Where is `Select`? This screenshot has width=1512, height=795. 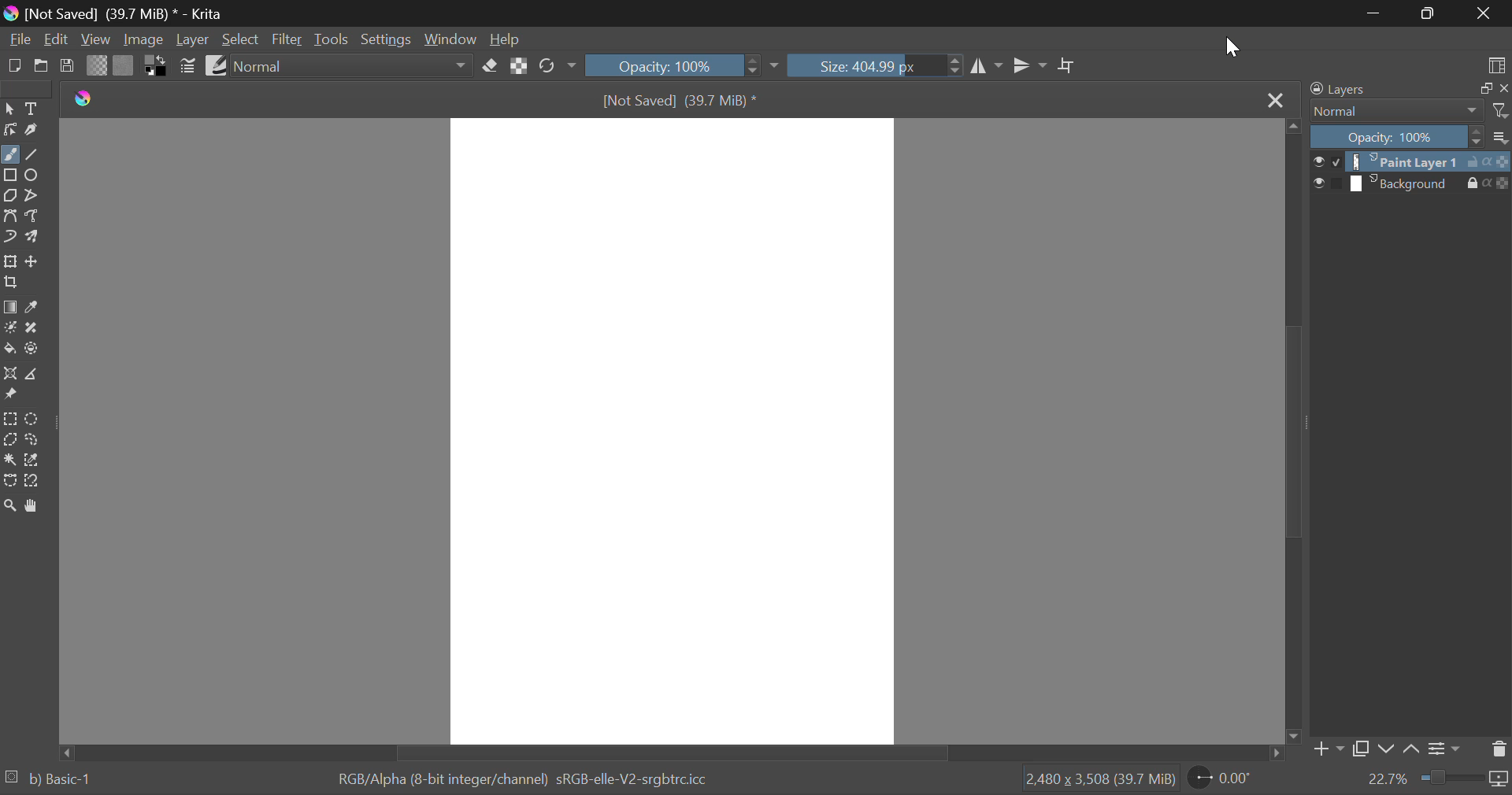 Select is located at coordinates (240, 39).